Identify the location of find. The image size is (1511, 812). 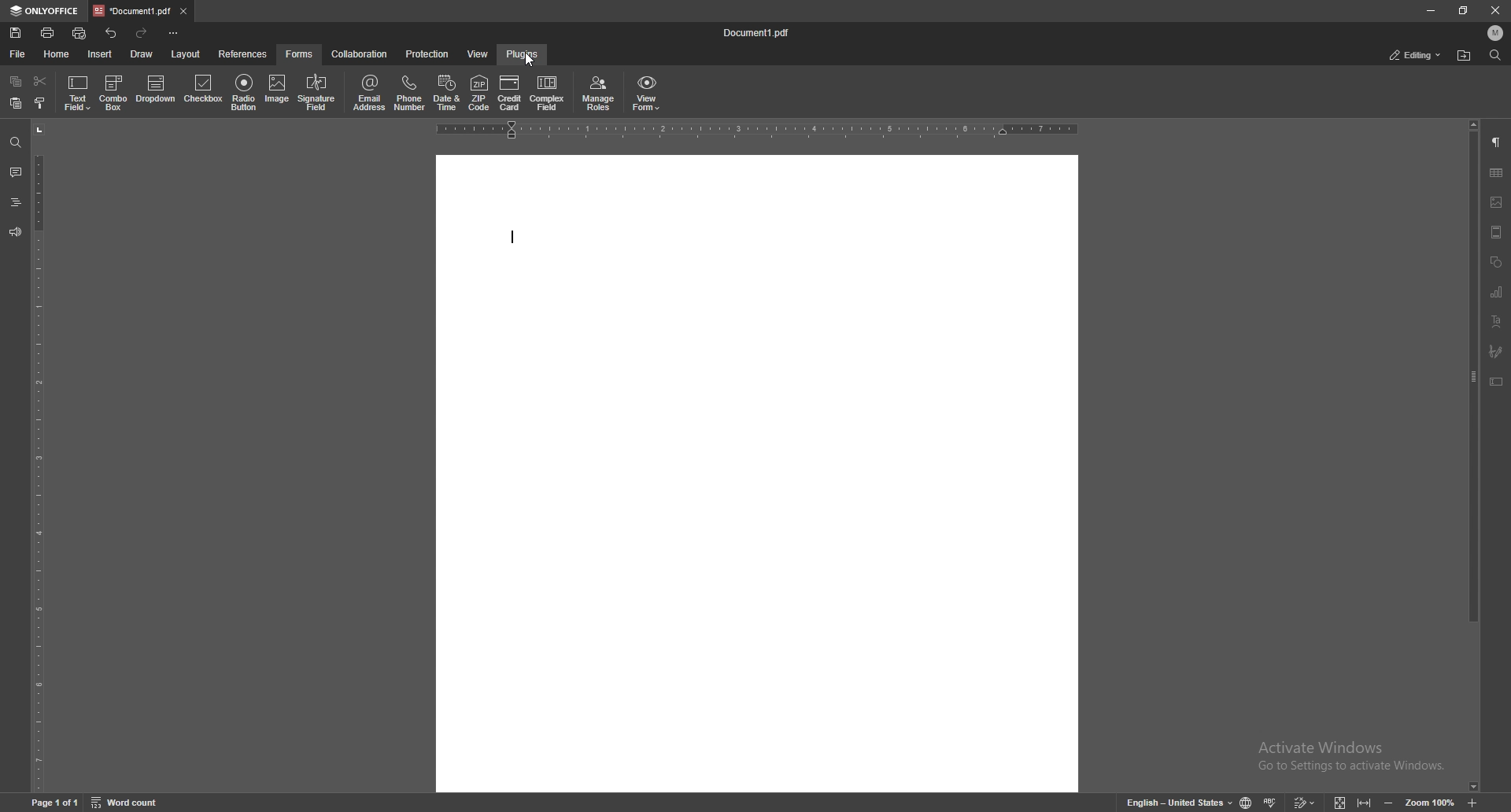
(16, 143).